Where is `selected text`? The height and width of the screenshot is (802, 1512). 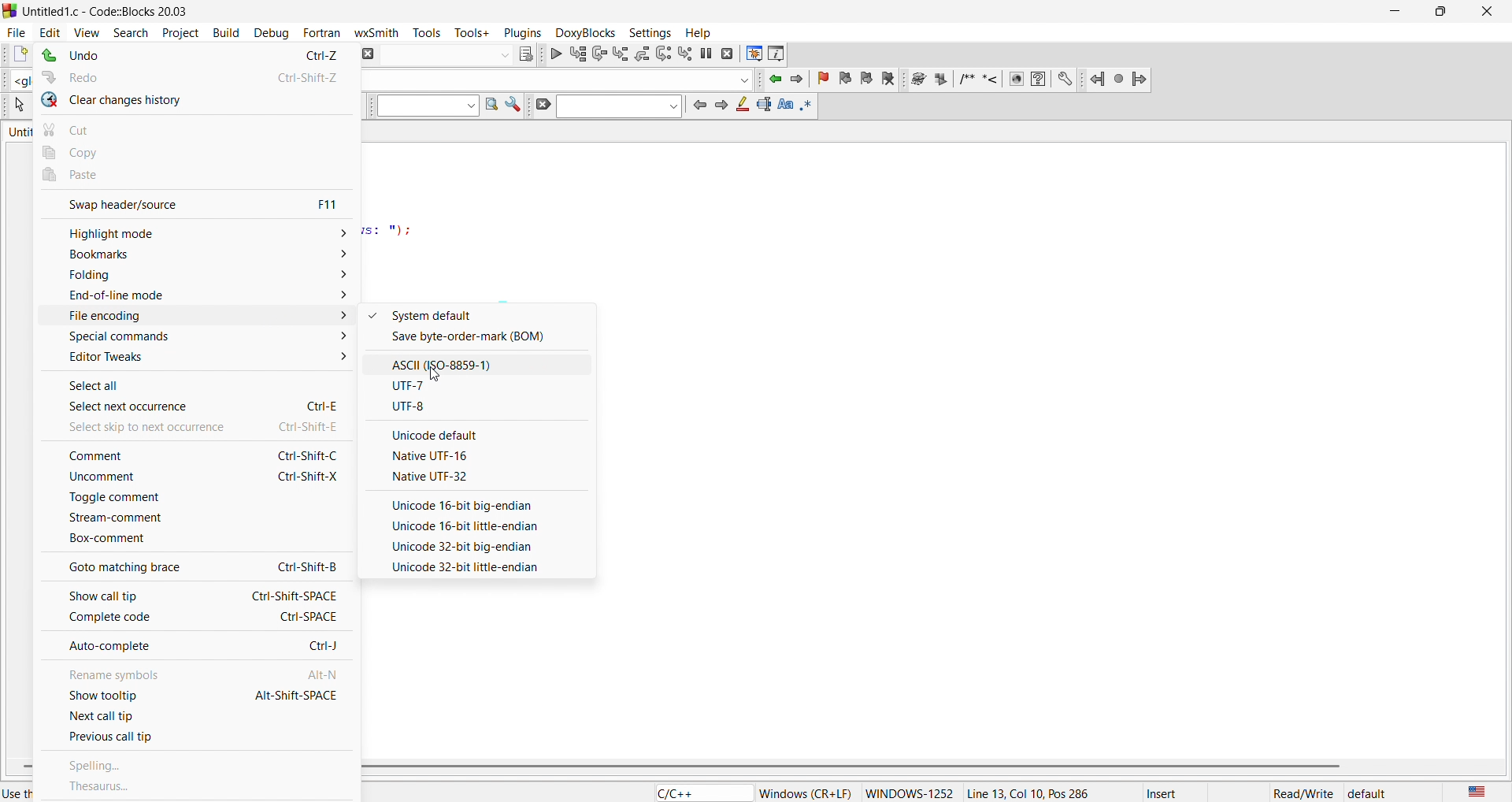
selected text is located at coordinates (763, 106).